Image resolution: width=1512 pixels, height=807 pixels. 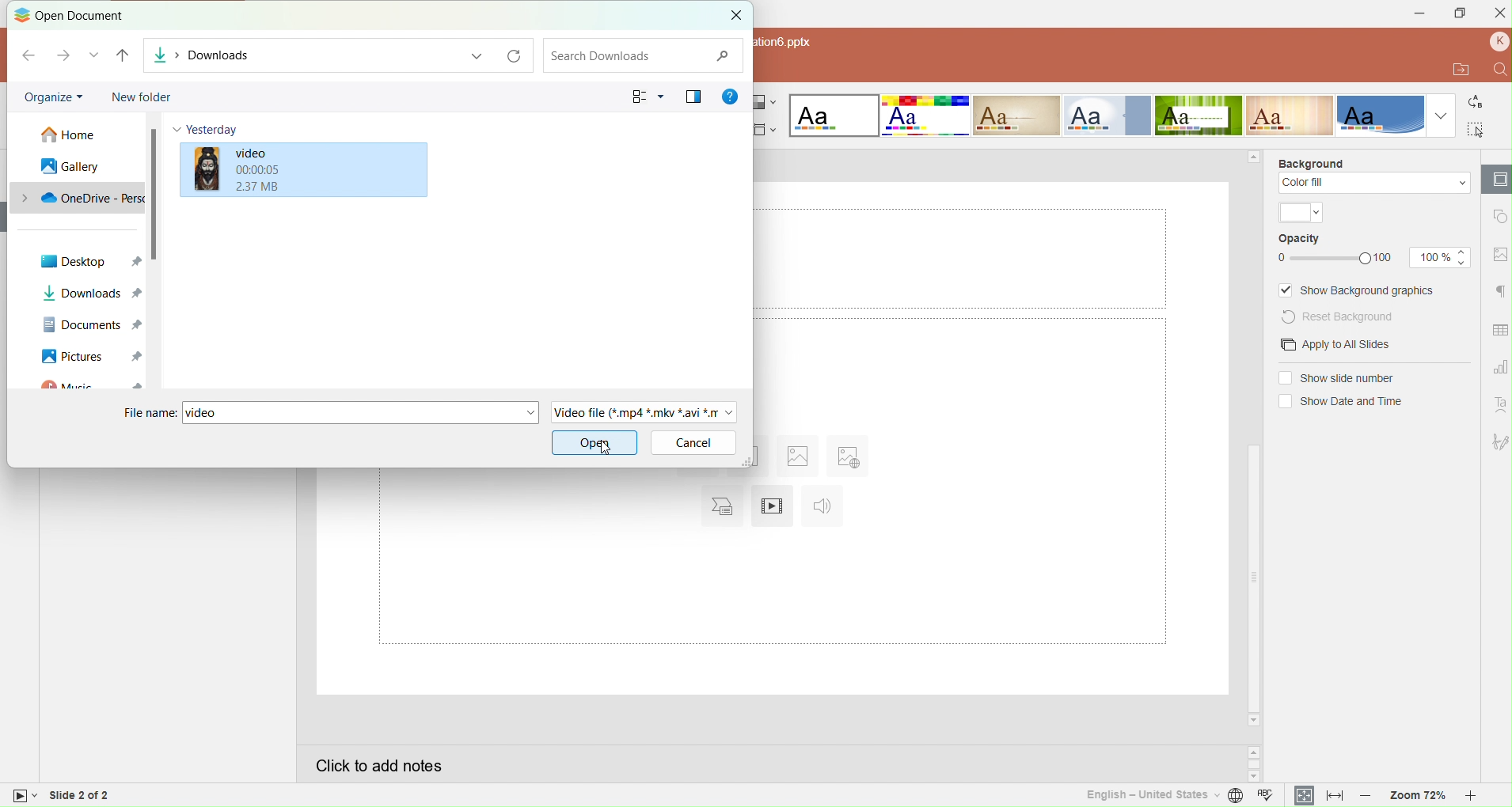 What do you see at coordinates (1441, 257) in the screenshot?
I see `Opacity size` at bounding box center [1441, 257].